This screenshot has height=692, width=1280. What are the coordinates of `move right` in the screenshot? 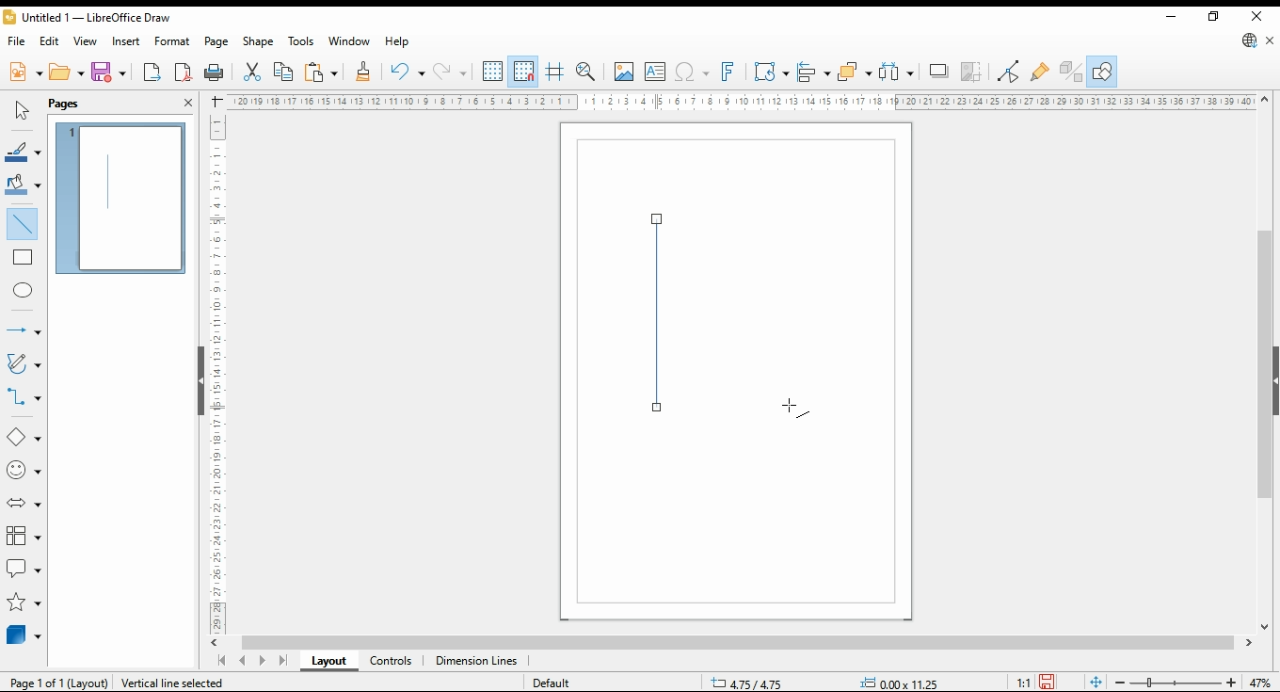 It's located at (1251, 645).